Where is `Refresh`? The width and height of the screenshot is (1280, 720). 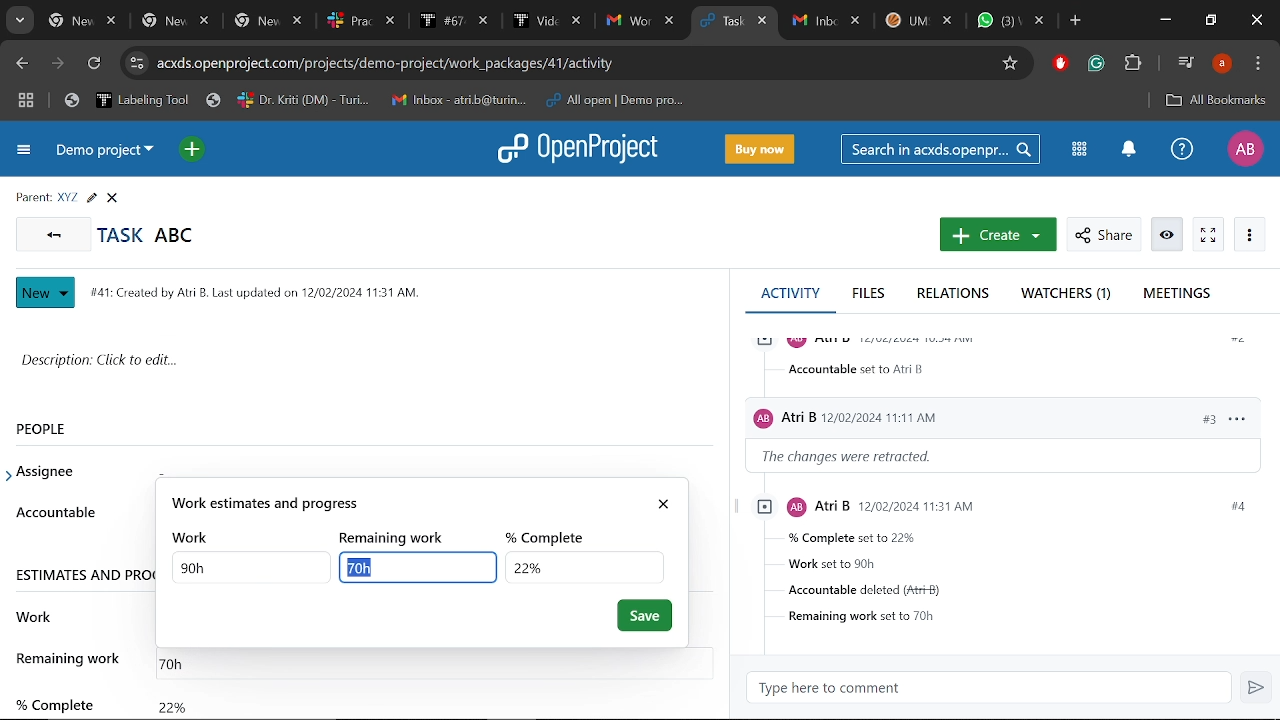 Refresh is located at coordinates (93, 65).